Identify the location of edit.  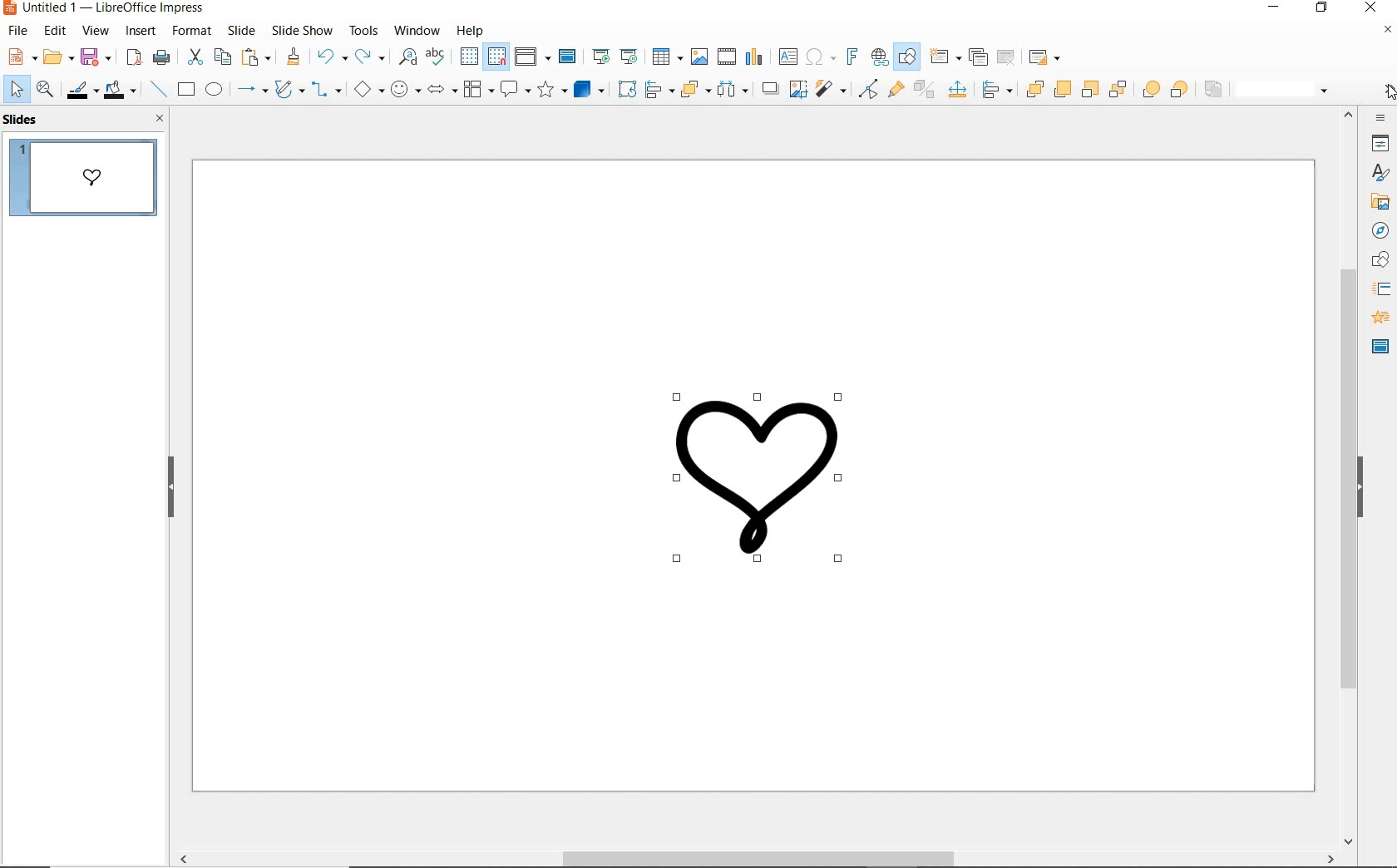
(54, 31).